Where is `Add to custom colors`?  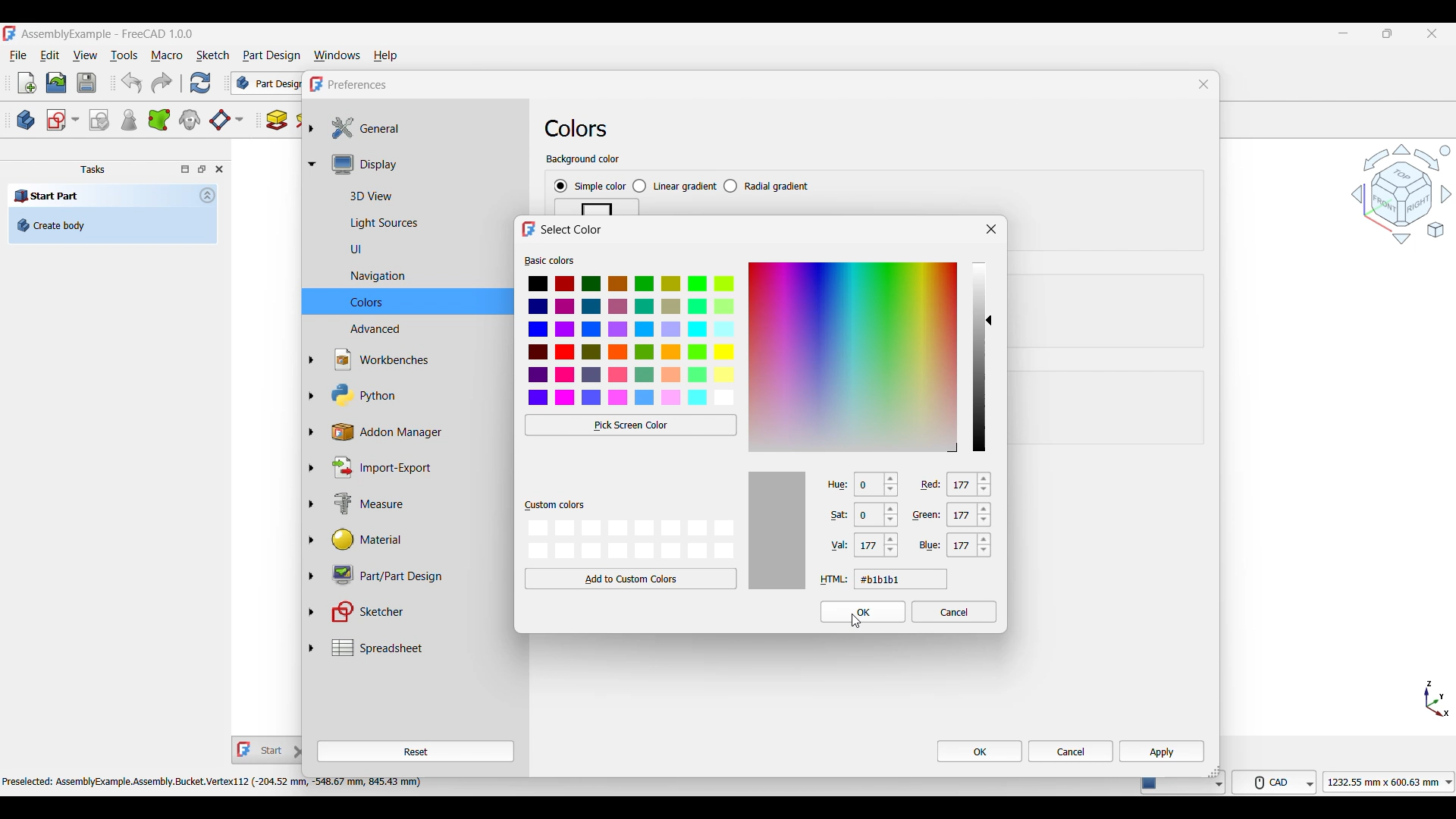 Add to custom colors is located at coordinates (631, 579).